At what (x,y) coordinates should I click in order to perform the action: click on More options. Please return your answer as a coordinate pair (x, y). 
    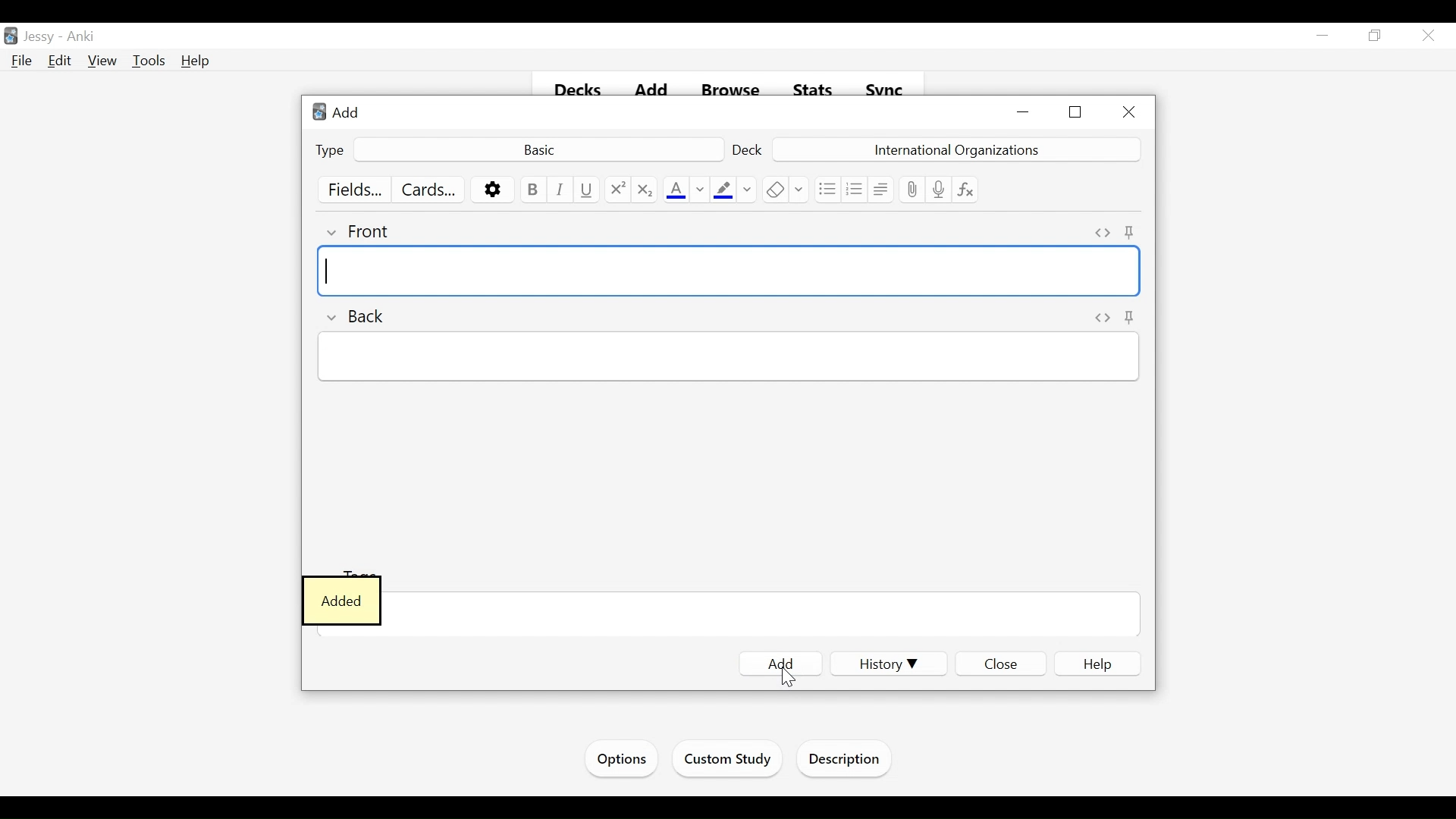
    Looking at the image, I should click on (492, 190).